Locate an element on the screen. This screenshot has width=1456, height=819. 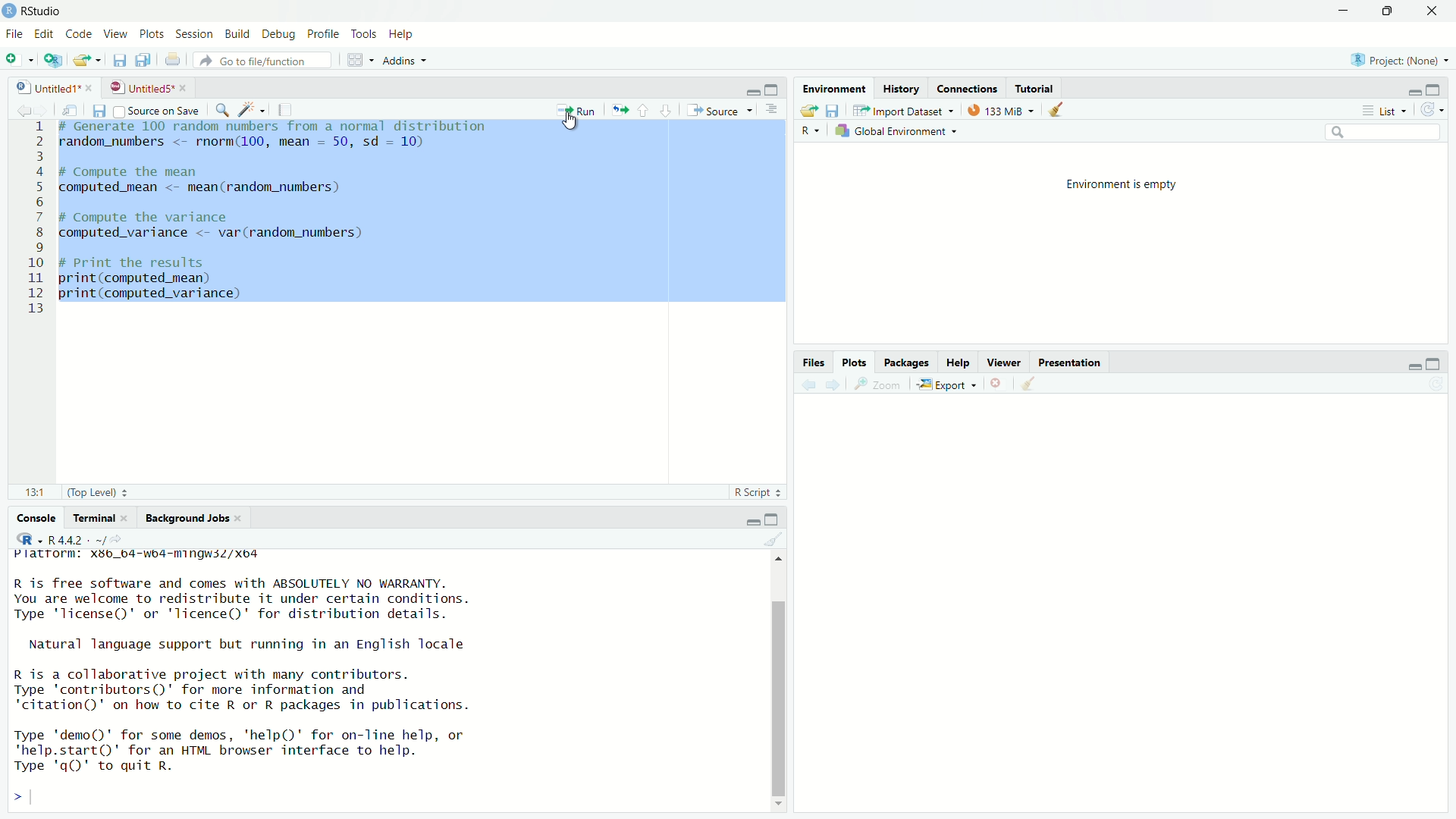
addins is located at coordinates (405, 60).